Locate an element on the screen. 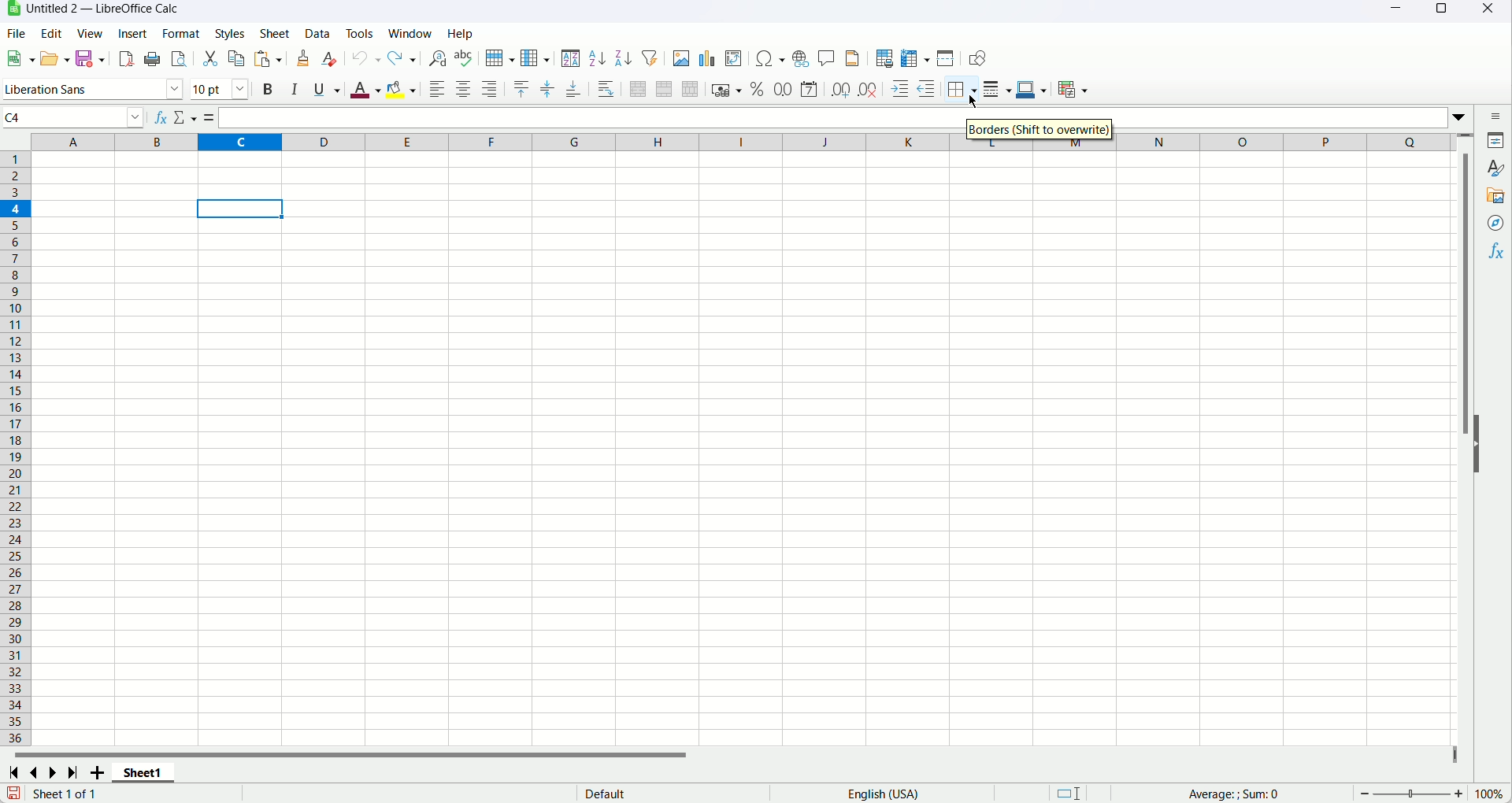  Open is located at coordinates (56, 58).